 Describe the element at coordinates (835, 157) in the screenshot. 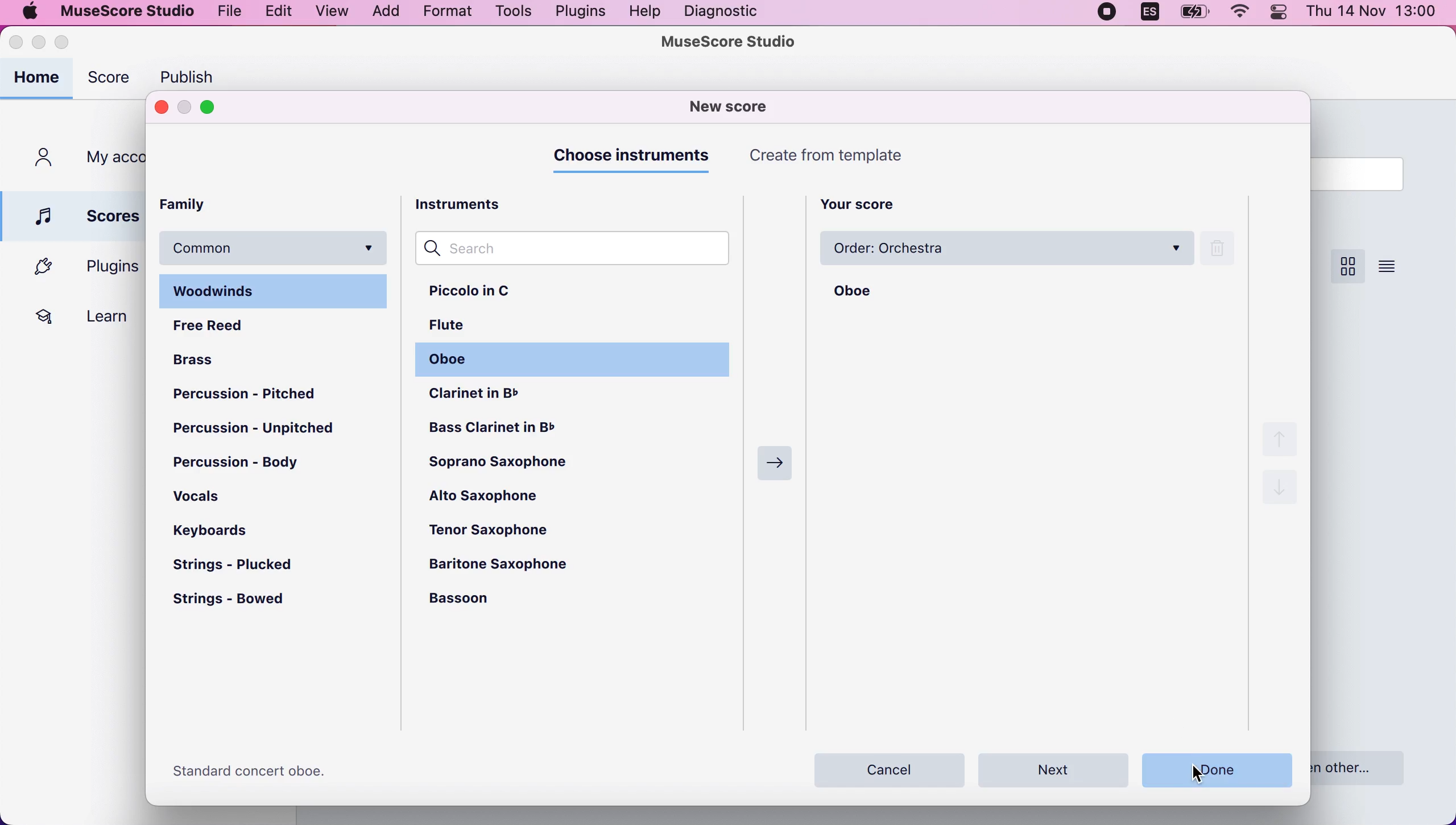

I see `create from template` at that location.